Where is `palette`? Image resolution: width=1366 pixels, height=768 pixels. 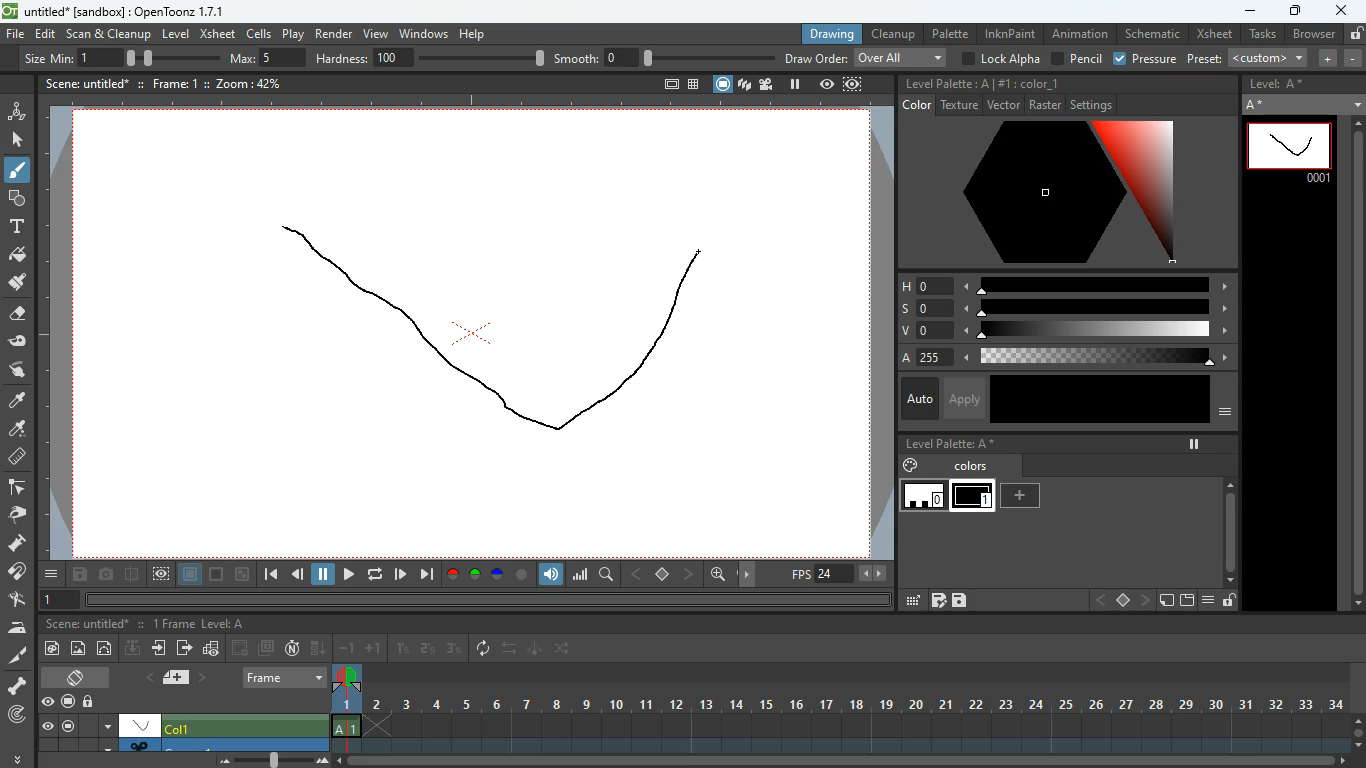
palette is located at coordinates (949, 33).